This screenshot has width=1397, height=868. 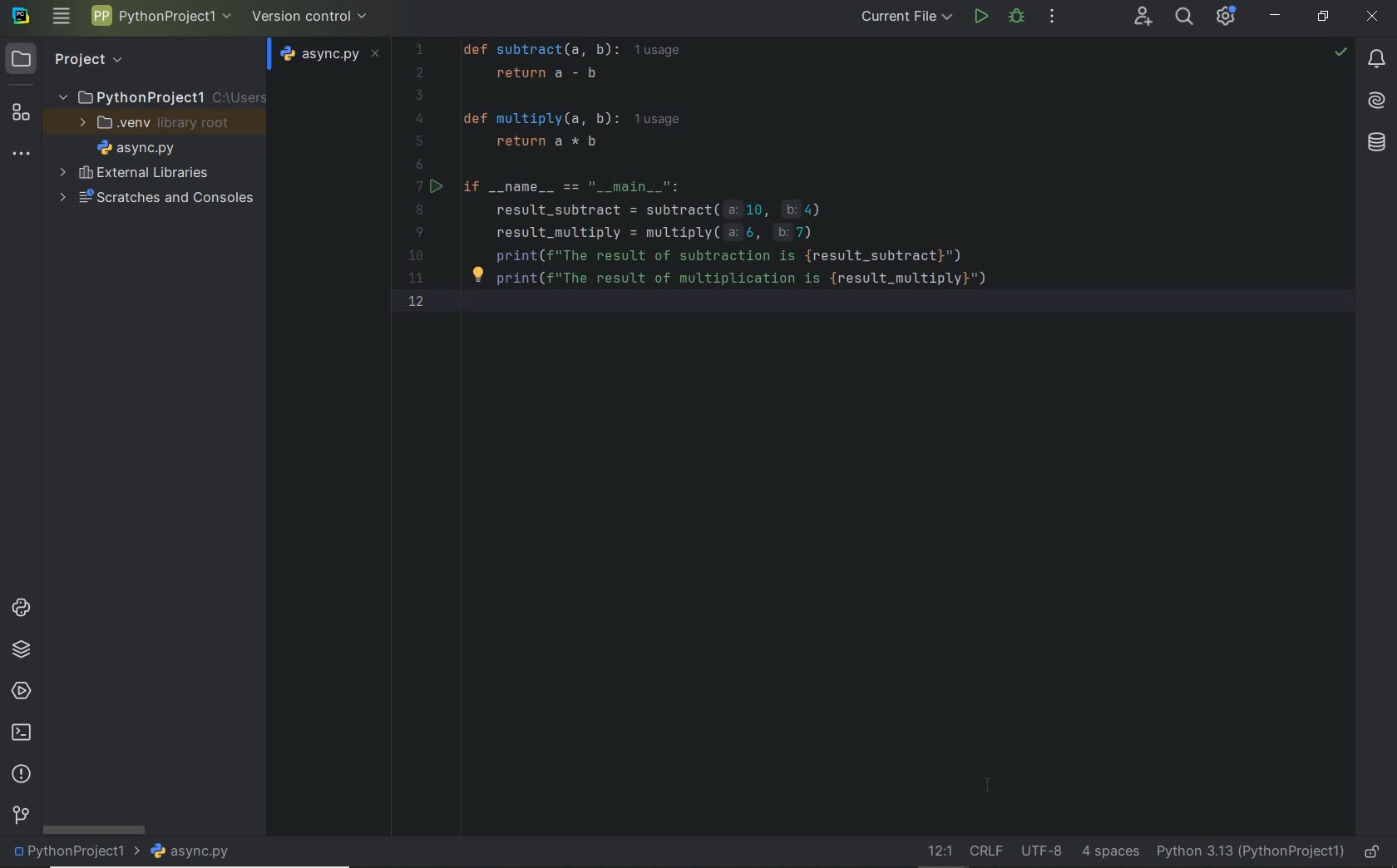 I want to click on restore down, so click(x=1324, y=17).